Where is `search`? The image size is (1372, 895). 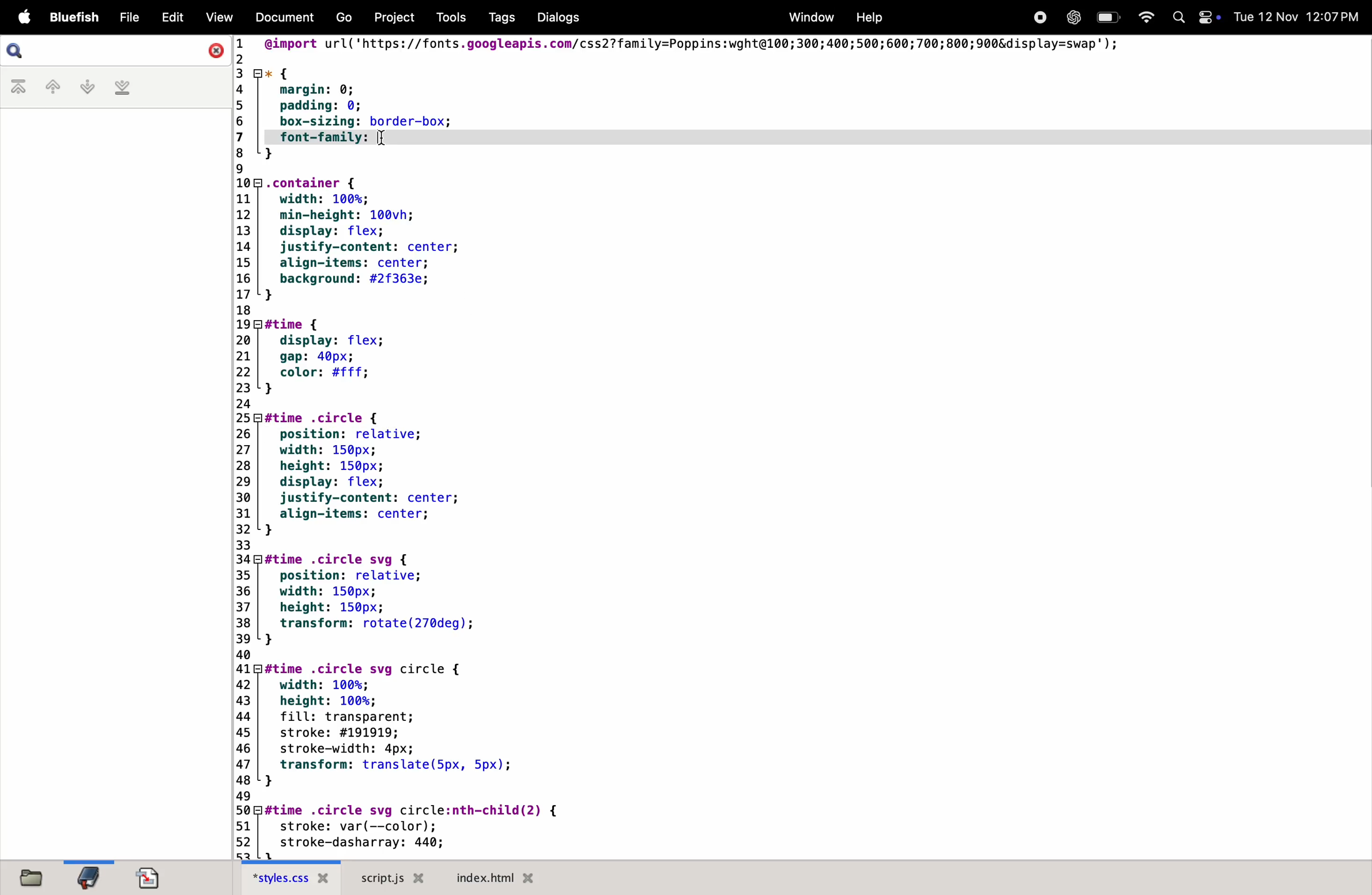
search is located at coordinates (20, 51).